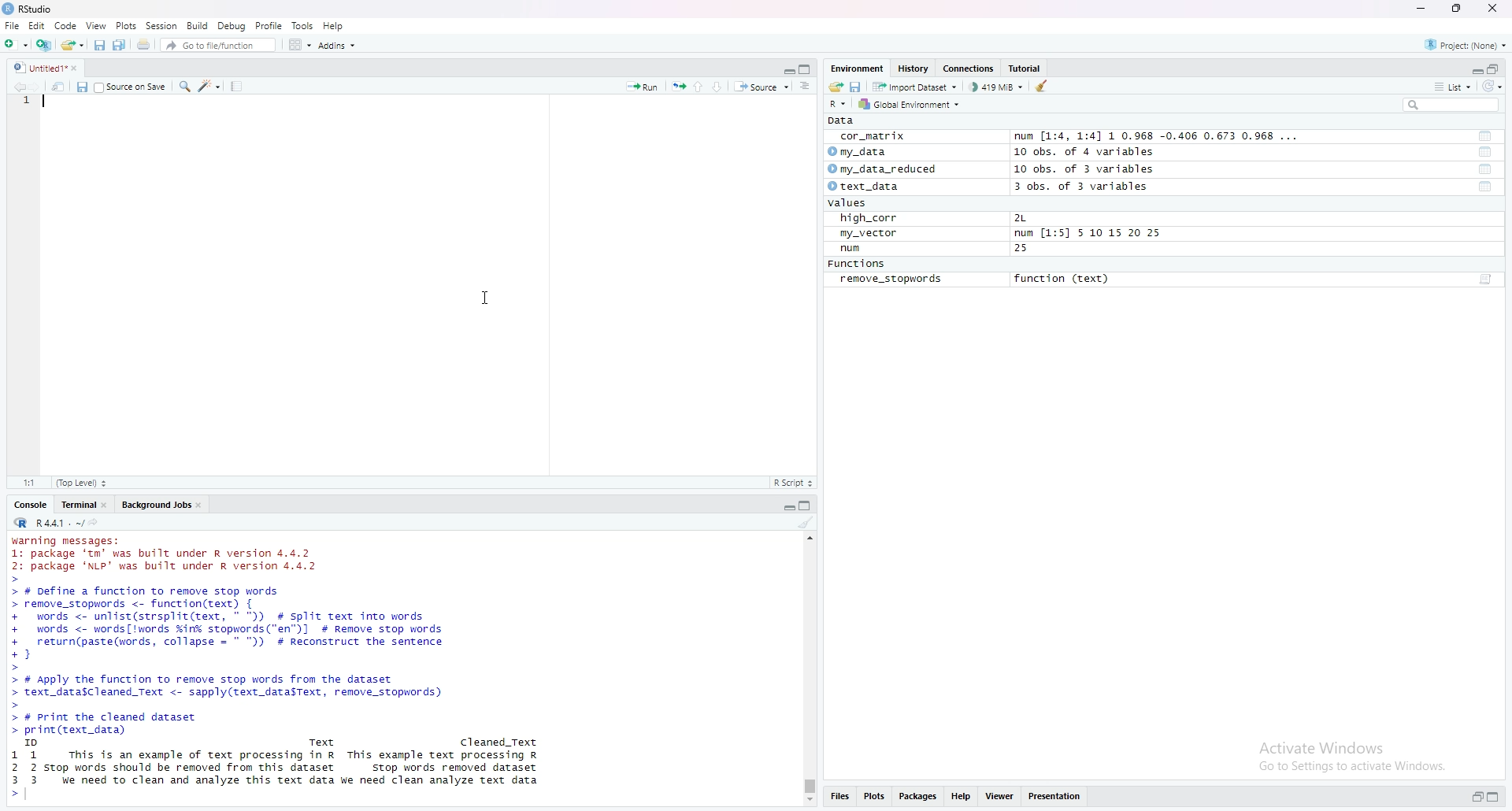 The width and height of the screenshot is (1512, 811). Describe the element at coordinates (68, 26) in the screenshot. I see `Code` at that location.